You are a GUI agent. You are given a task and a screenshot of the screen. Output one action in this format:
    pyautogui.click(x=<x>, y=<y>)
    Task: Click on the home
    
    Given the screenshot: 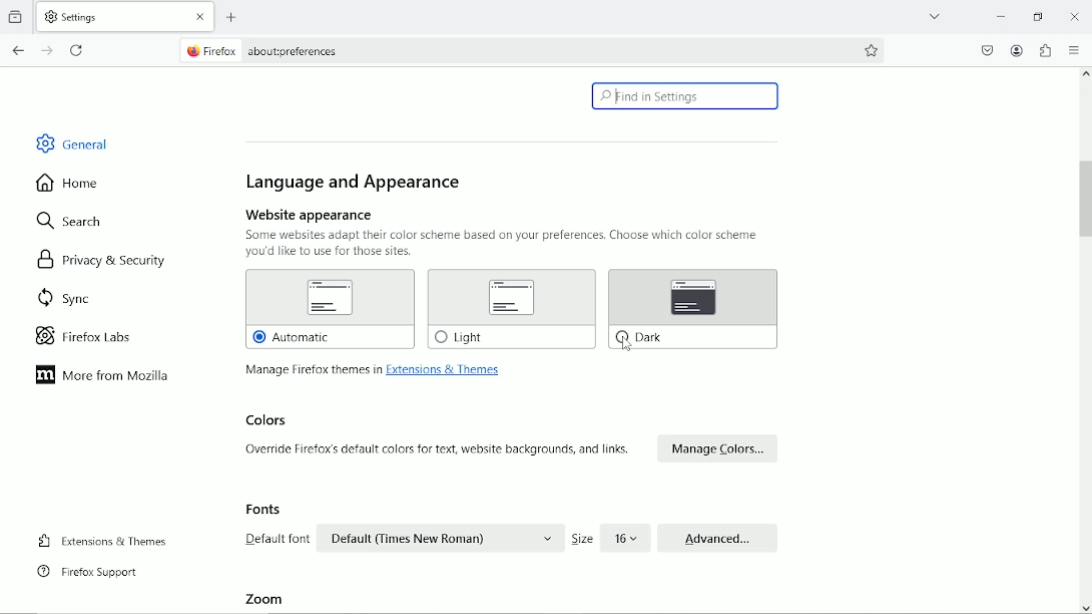 What is the action you would take?
    pyautogui.click(x=66, y=183)
    